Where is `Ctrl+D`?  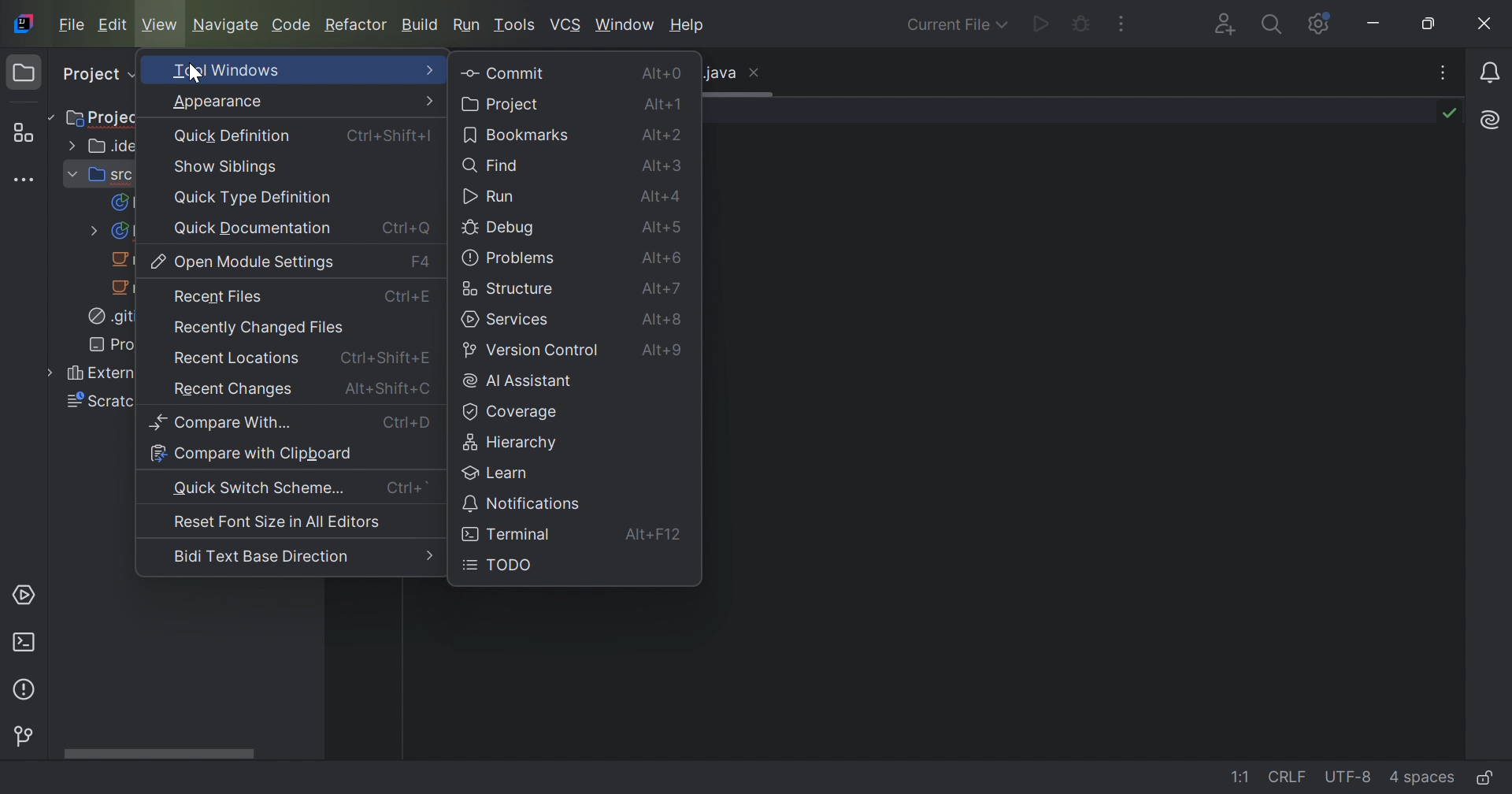 Ctrl+D is located at coordinates (407, 423).